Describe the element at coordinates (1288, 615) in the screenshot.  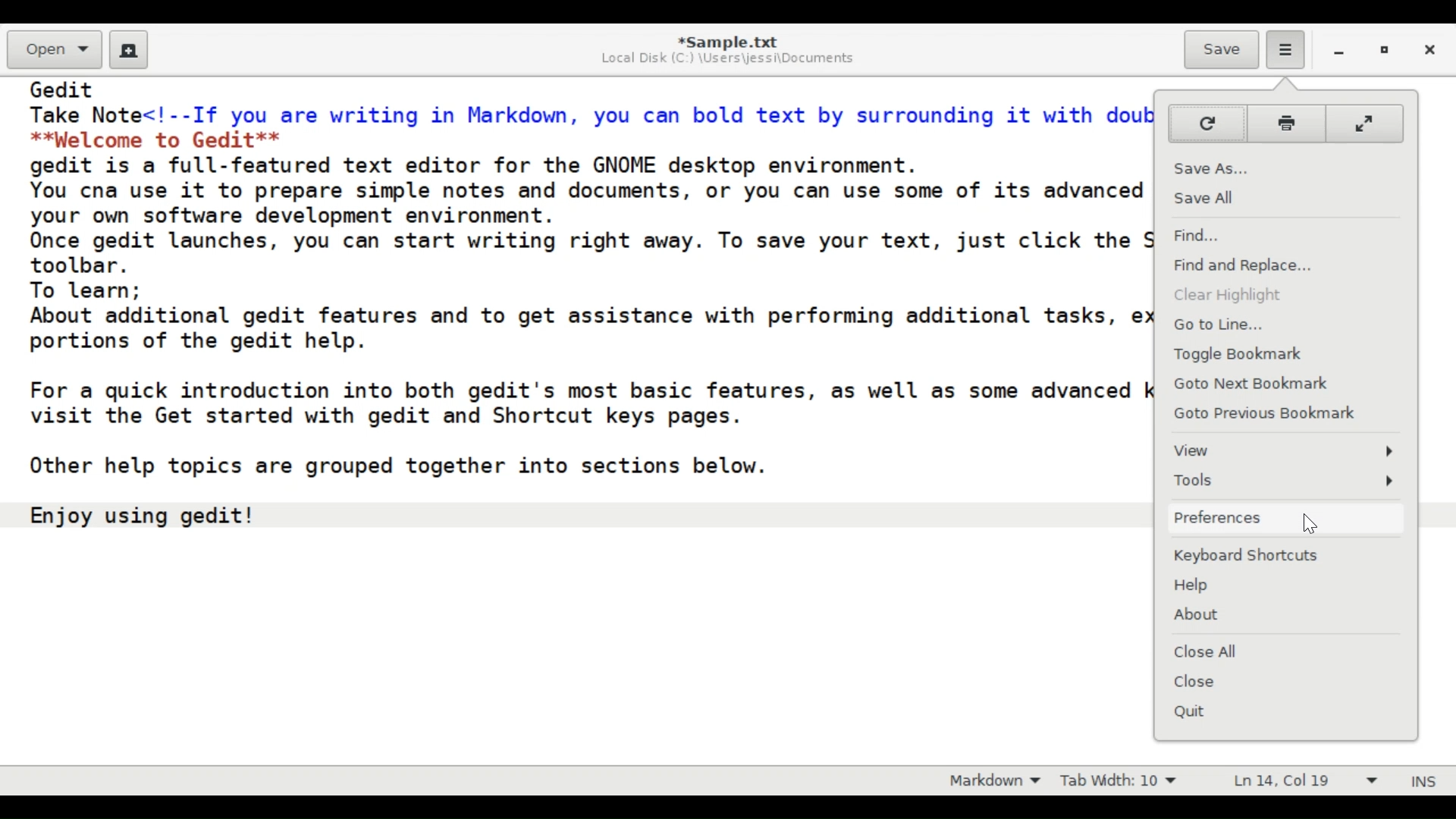
I see `About` at that location.